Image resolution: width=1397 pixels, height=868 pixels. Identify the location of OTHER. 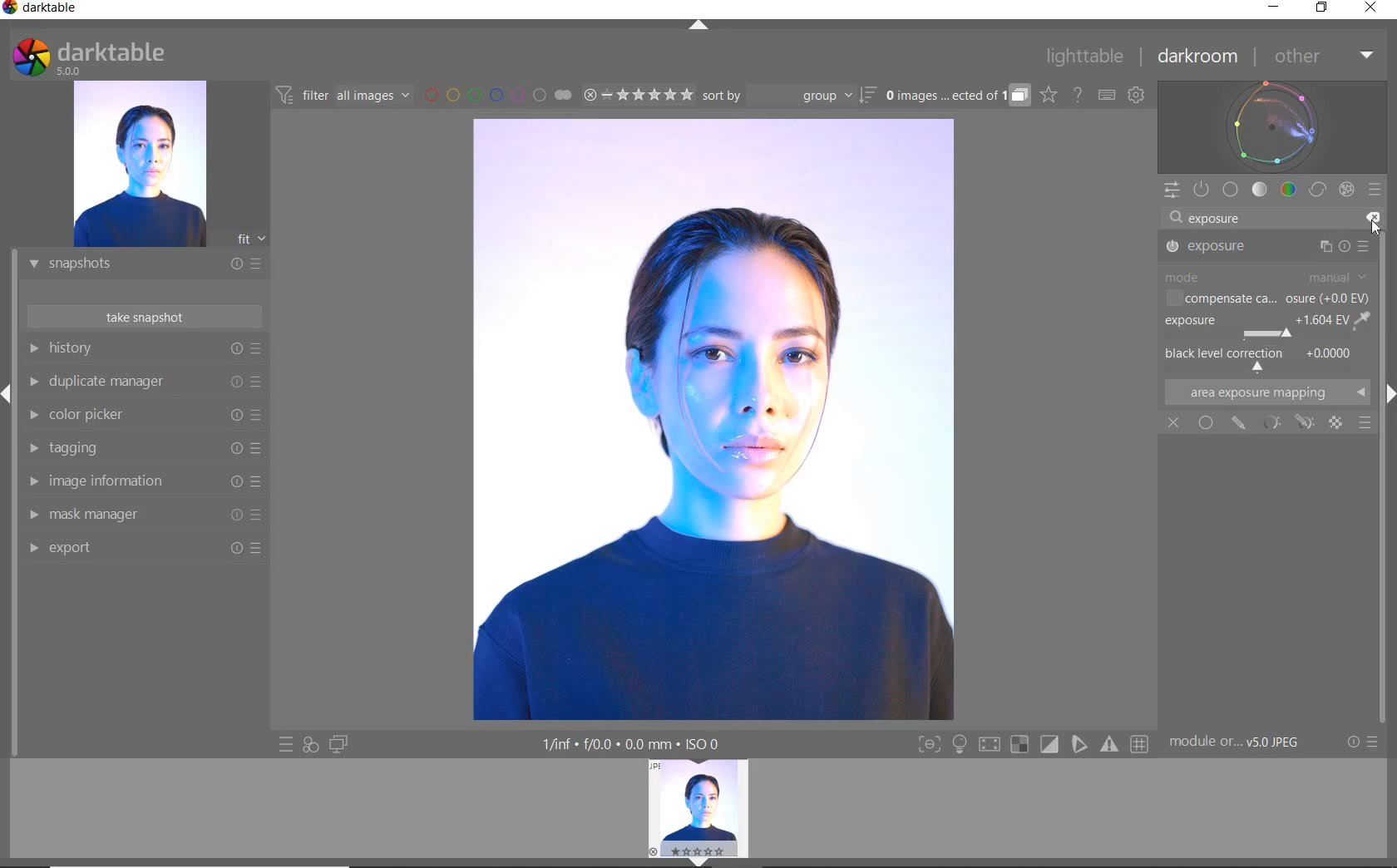
(1322, 57).